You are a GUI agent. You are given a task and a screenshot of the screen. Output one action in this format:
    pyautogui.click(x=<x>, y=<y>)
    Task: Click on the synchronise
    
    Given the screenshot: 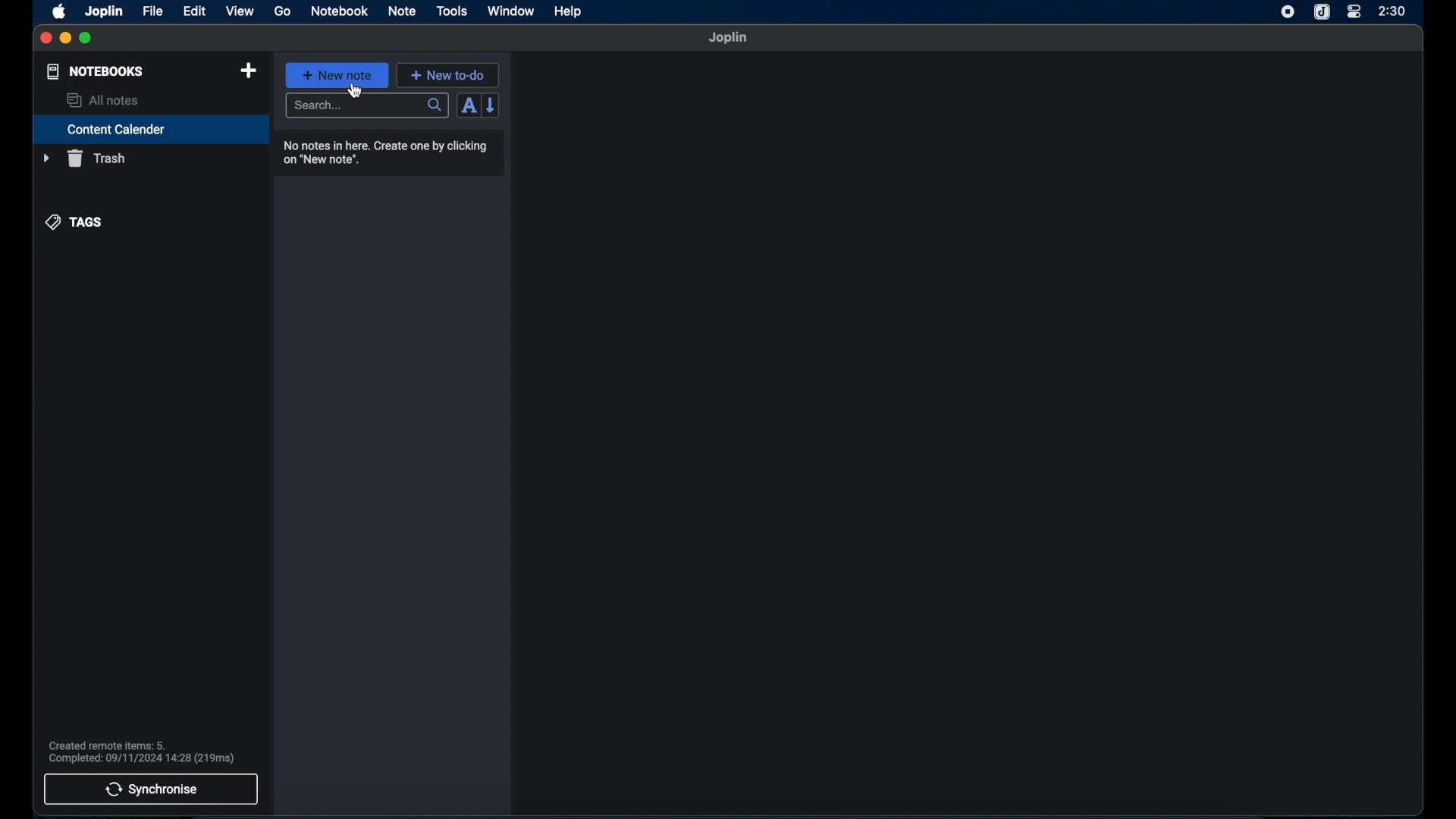 What is the action you would take?
    pyautogui.click(x=151, y=789)
    